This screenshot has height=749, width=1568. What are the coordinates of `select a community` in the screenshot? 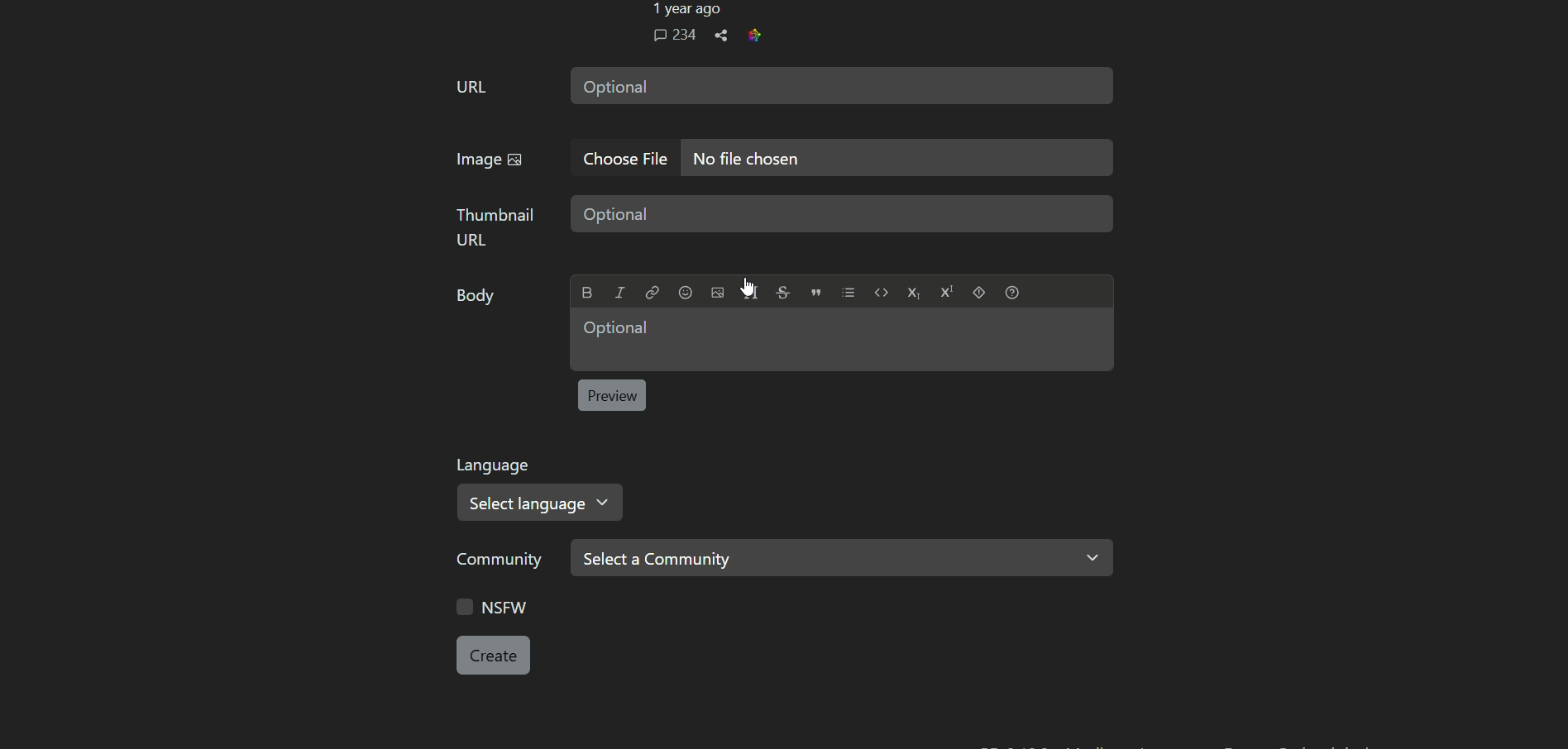 It's located at (843, 559).